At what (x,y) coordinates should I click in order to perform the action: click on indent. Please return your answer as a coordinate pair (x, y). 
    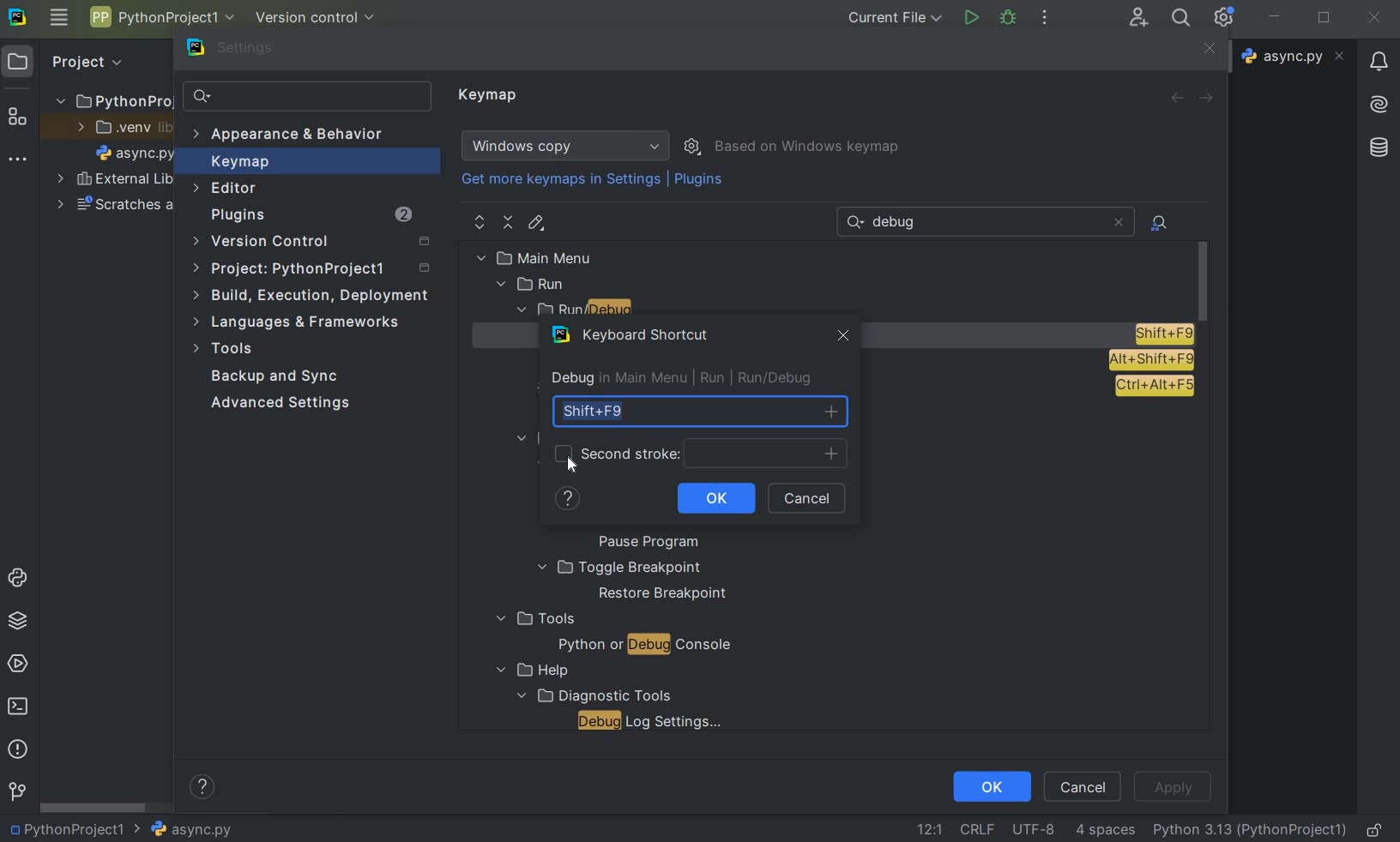
    Looking at the image, I should click on (1105, 830).